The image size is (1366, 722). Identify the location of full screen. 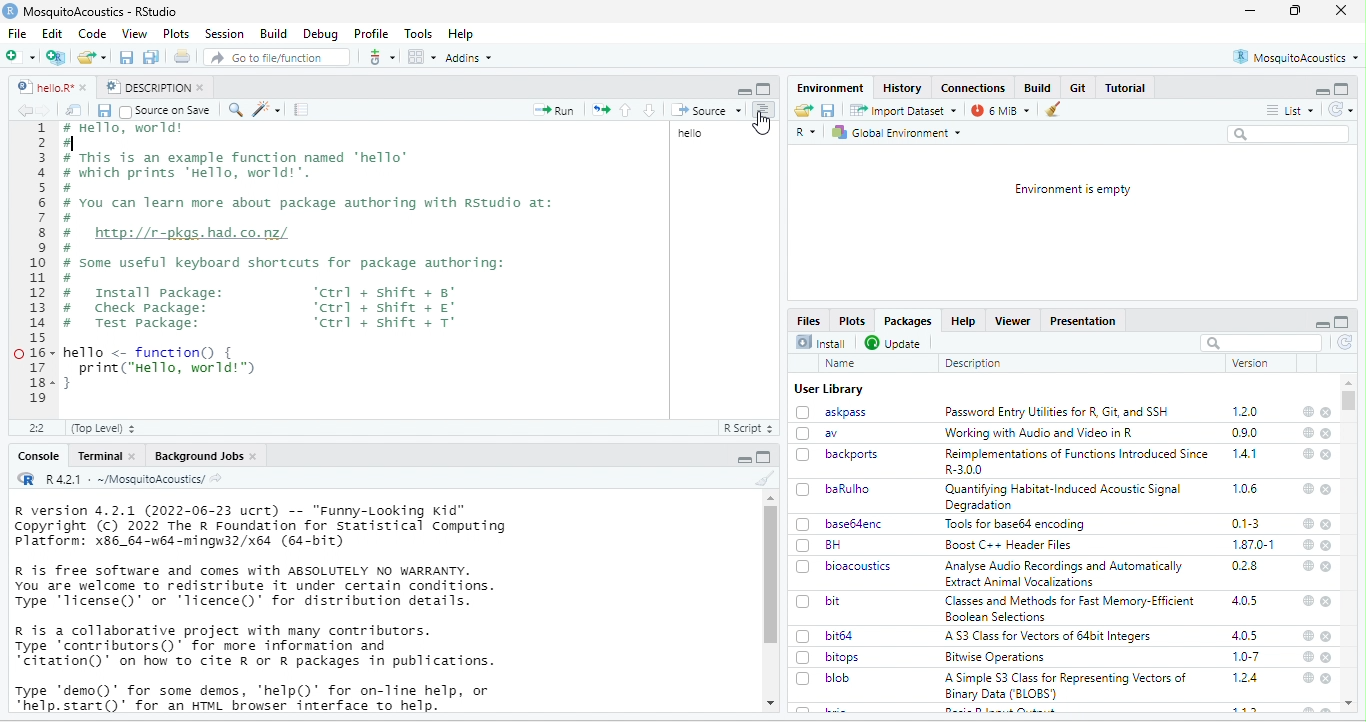
(765, 457).